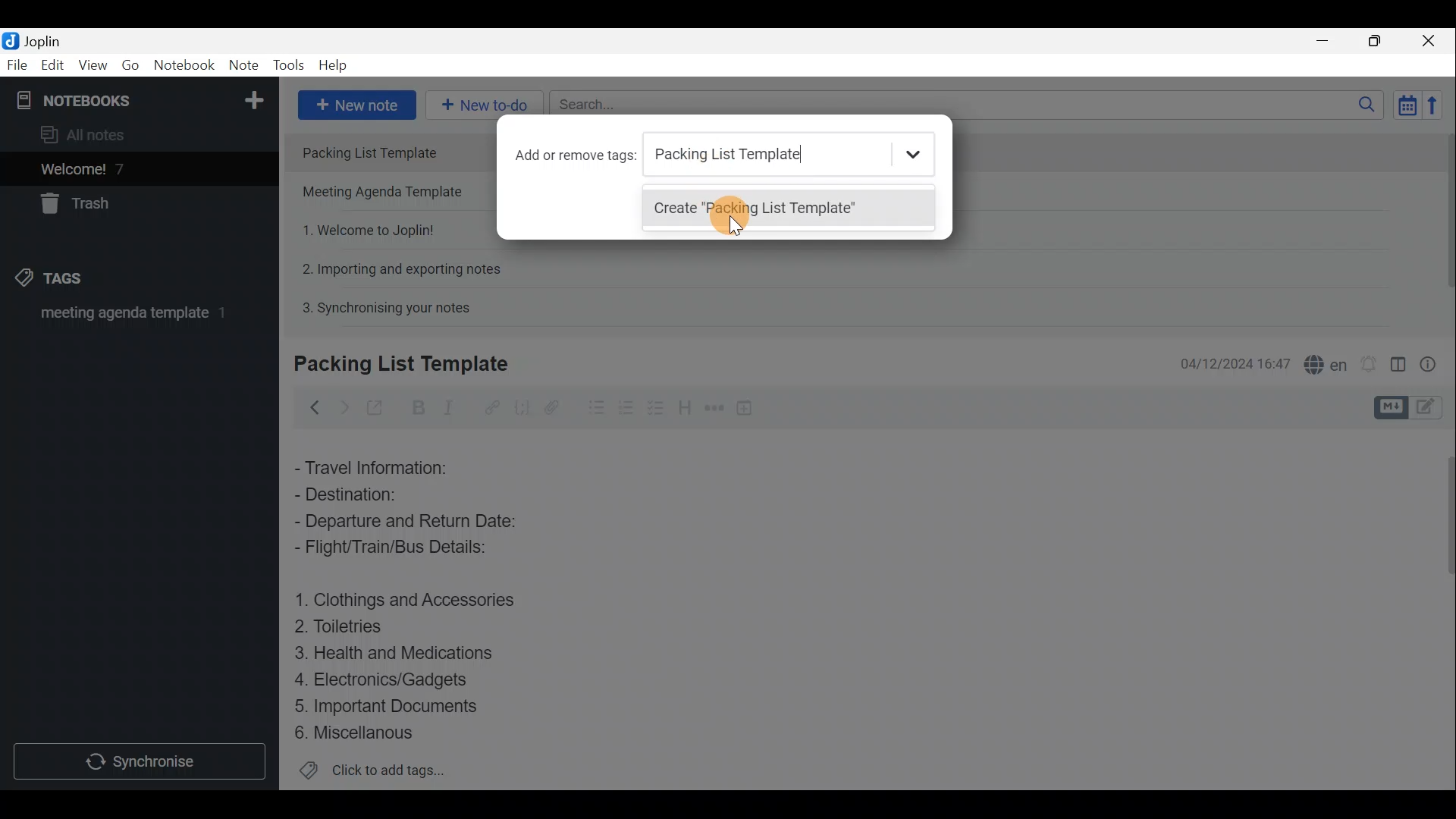  What do you see at coordinates (372, 770) in the screenshot?
I see `Click to add tags` at bounding box center [372, 770].